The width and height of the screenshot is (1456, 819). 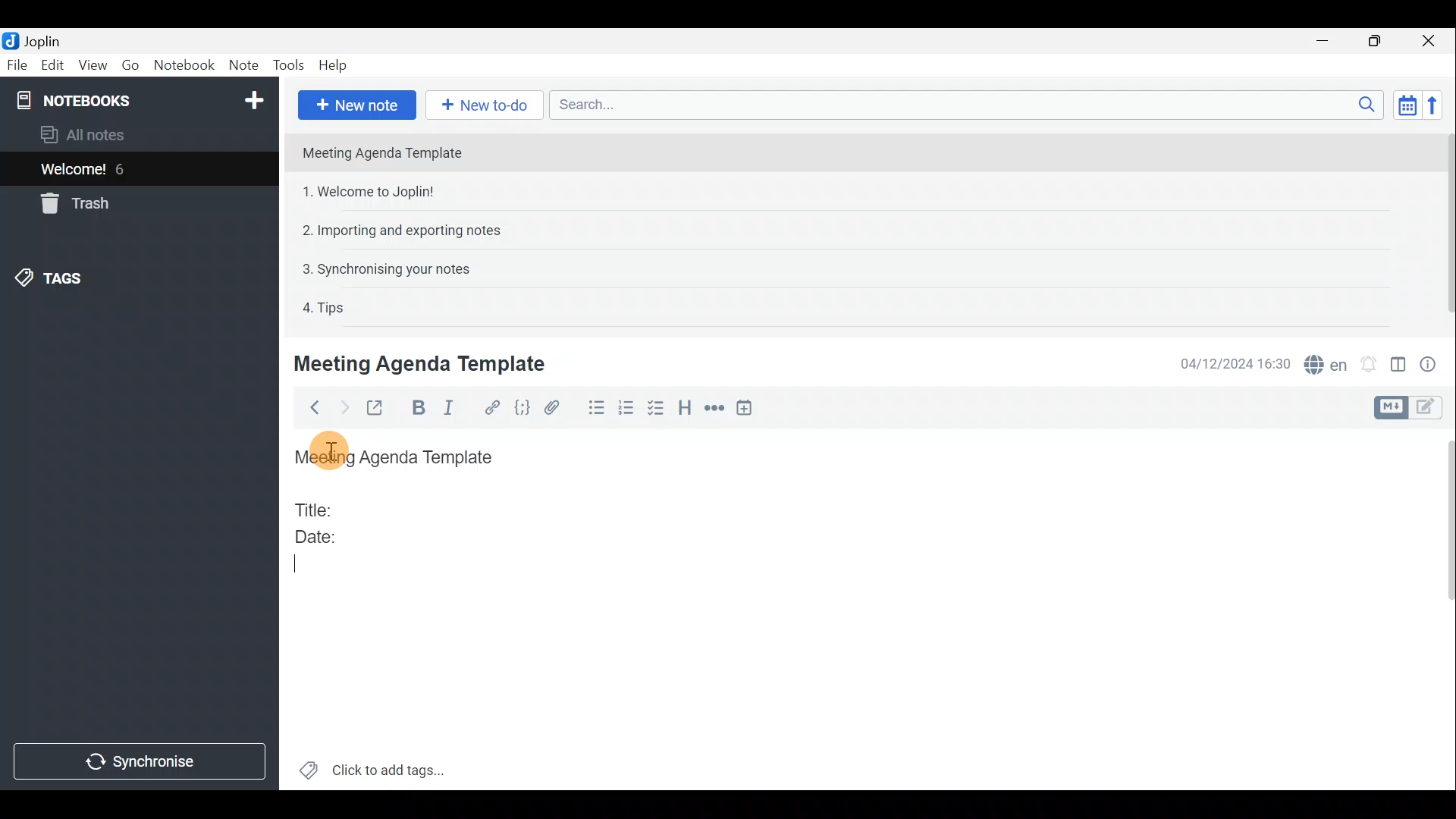 What do you see at coordinates (398, 458) in the screenshot?
I see `Meeting Agenda Template` at bounding box center [398, 458].